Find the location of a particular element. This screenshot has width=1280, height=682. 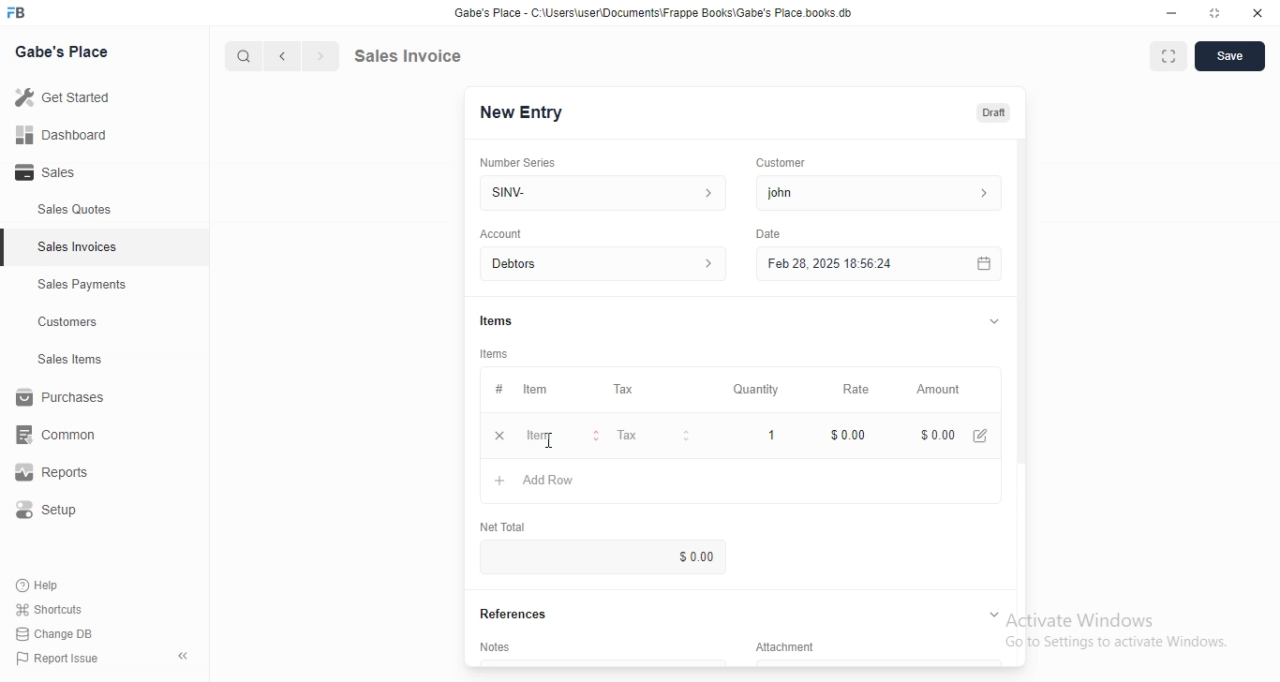

 is located at coordinates (498, 389).